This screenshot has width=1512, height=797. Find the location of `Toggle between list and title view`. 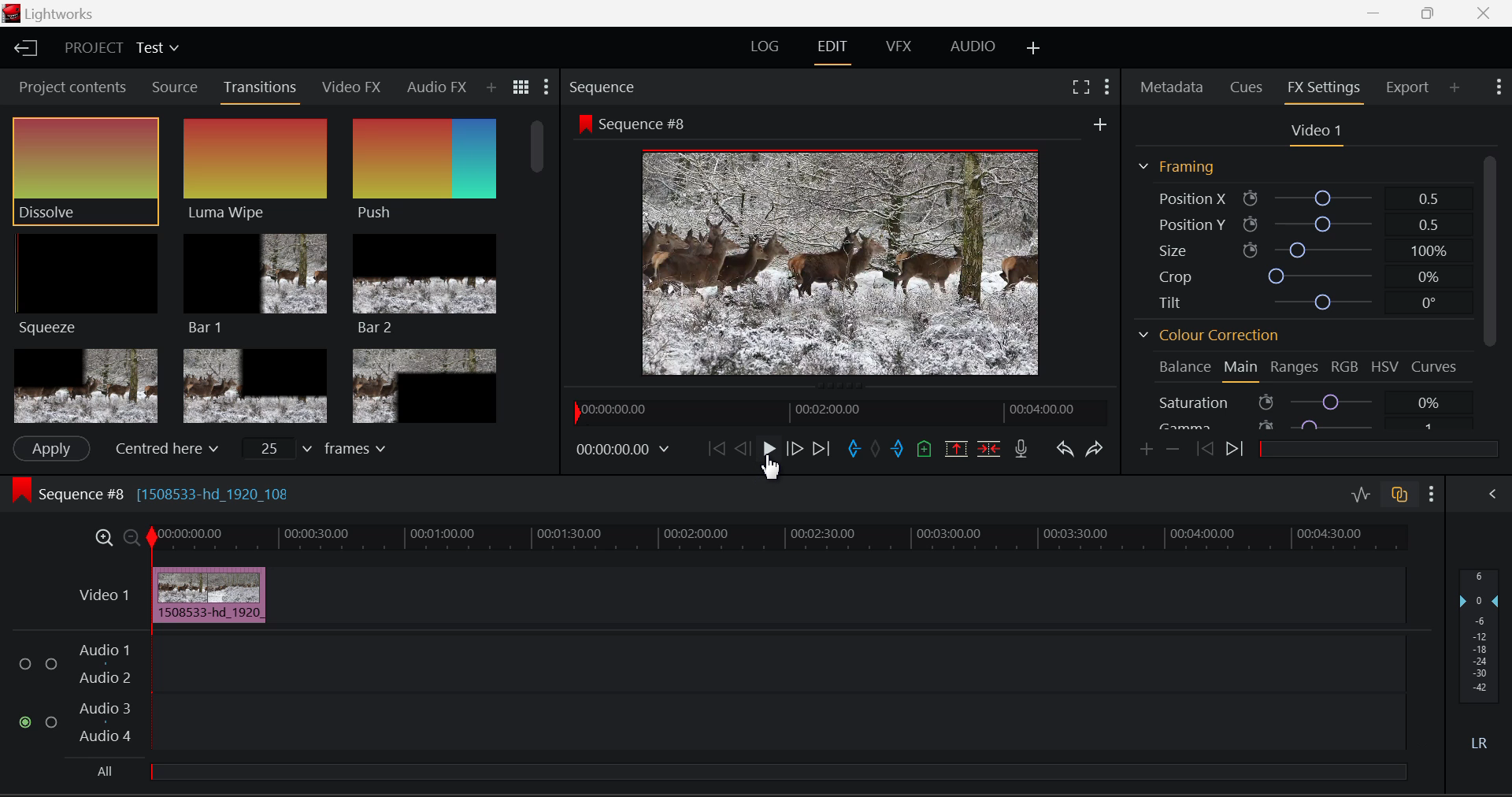

Toggle between list and title view is located at coordinates (521, 87).